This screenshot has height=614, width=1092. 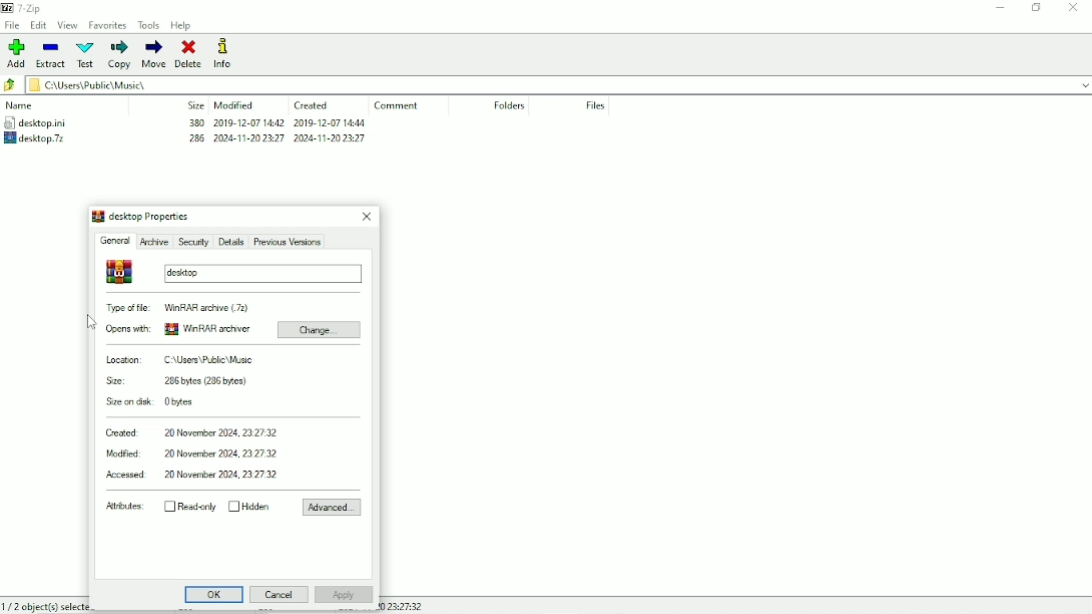 What do you see at coordinates (230, 241) in the screenshot?
I see `Details` at bounding box center [230, 241].